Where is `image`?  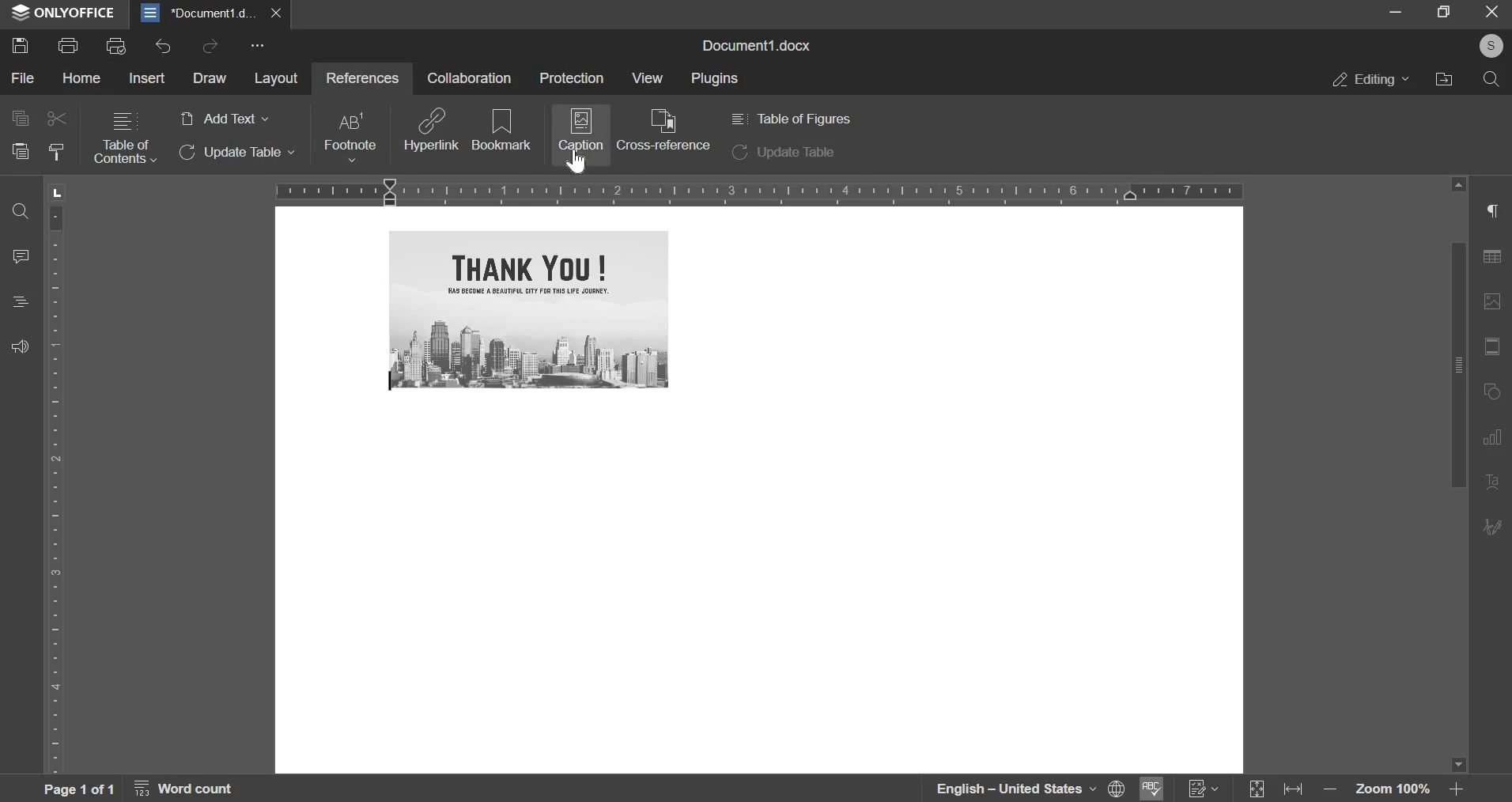
image is located at coordinates (529, 309).